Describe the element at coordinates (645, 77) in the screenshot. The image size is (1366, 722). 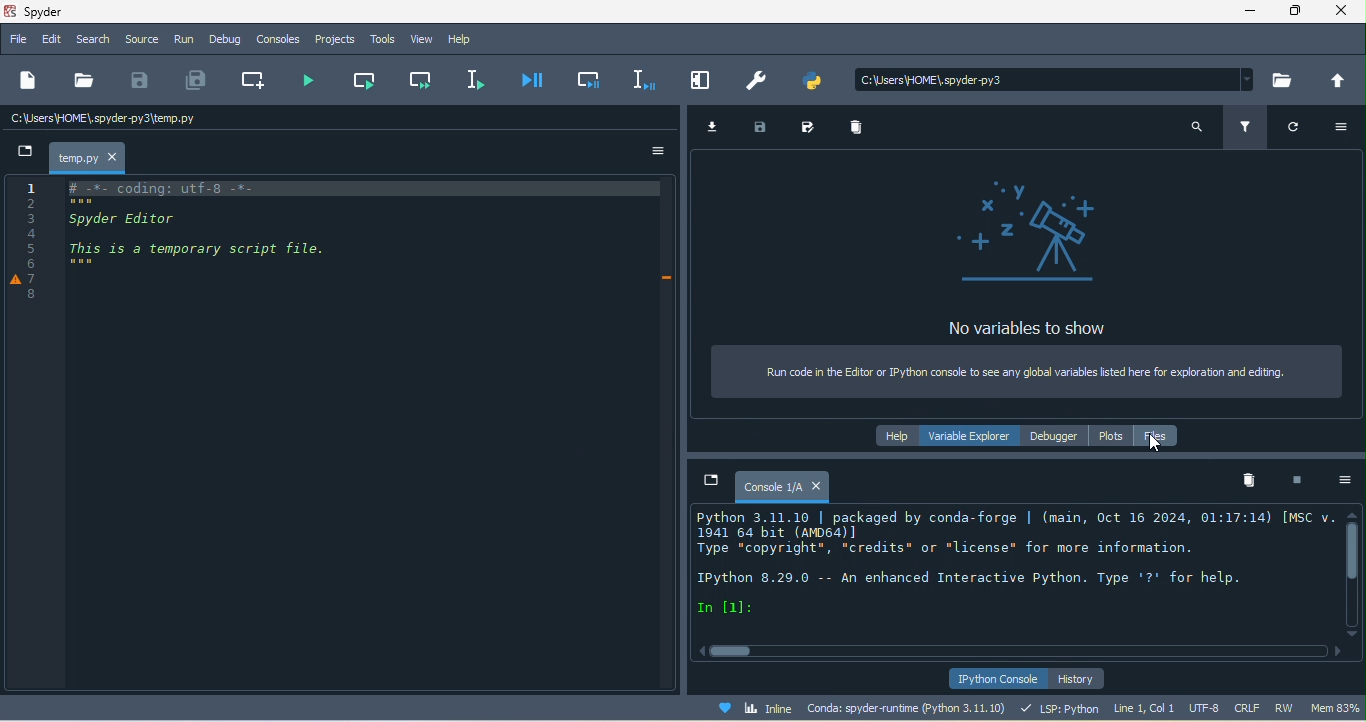
I see `debug selection` at that location.